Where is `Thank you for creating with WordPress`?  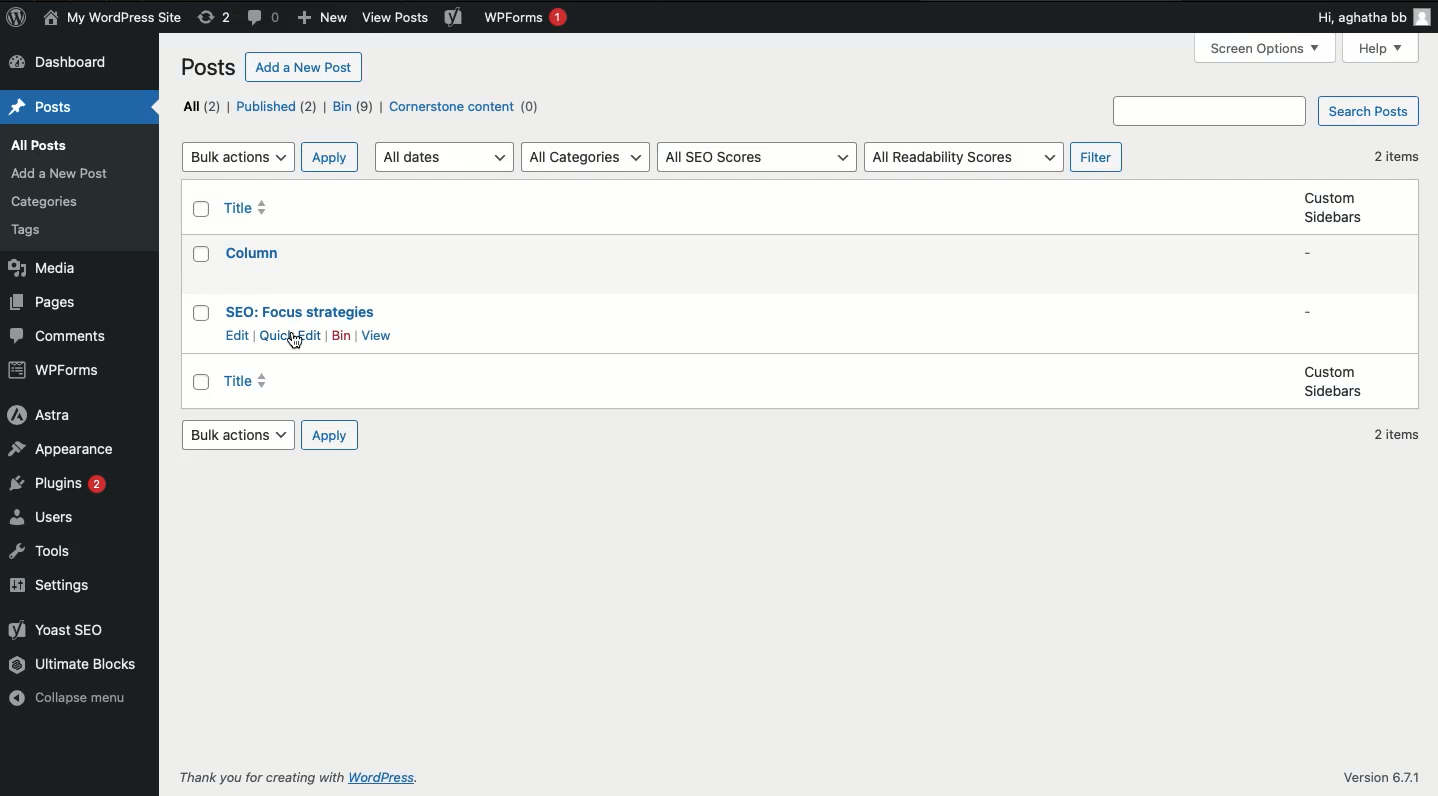 Thank you for creating with WordPress is located at coordinates (261, 777).